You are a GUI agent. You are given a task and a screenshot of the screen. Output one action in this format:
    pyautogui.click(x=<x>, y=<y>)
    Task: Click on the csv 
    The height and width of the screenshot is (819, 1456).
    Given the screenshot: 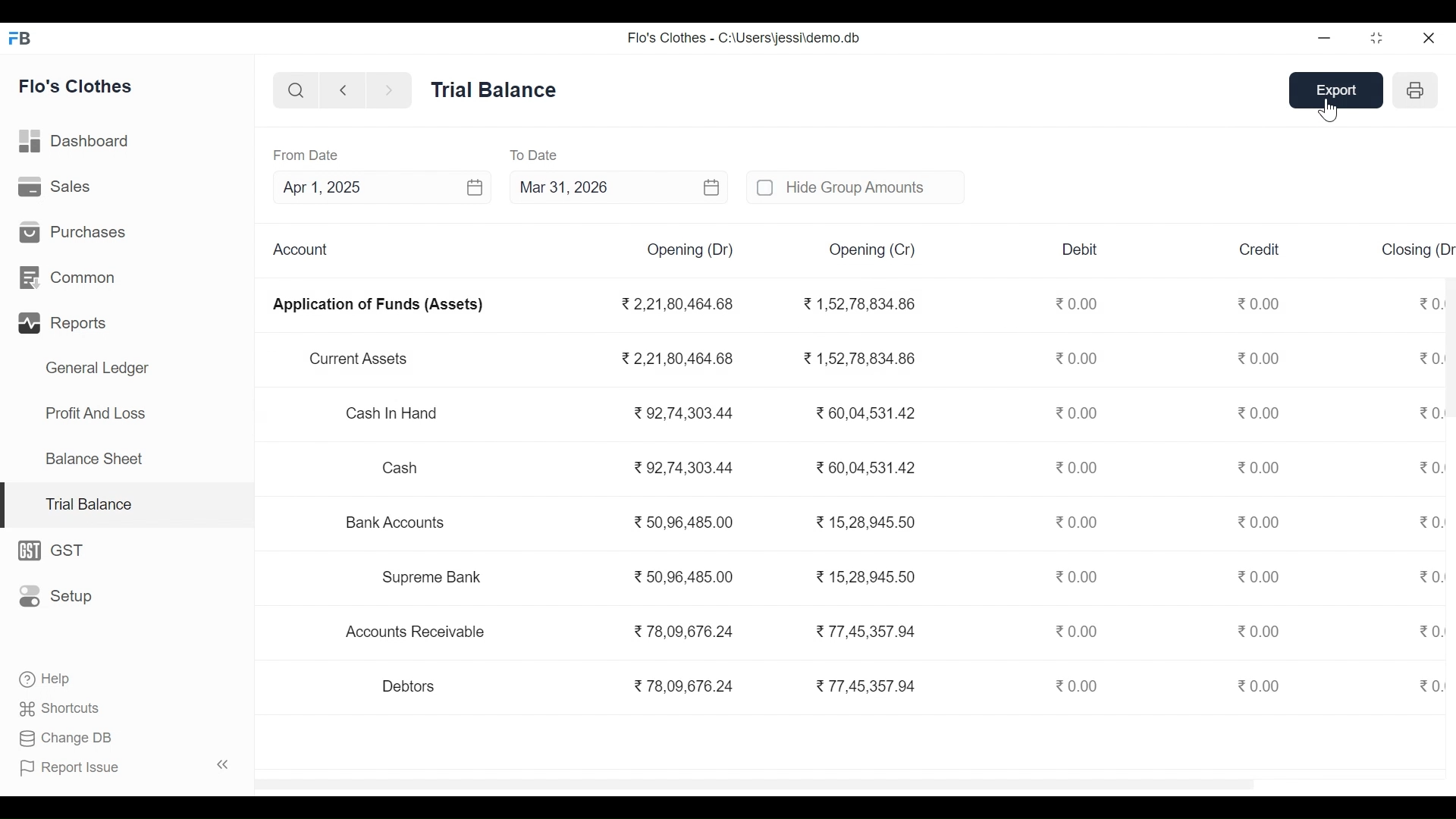 What is the action you would take?
    pyautogui.click(x=1290, y=178)
    